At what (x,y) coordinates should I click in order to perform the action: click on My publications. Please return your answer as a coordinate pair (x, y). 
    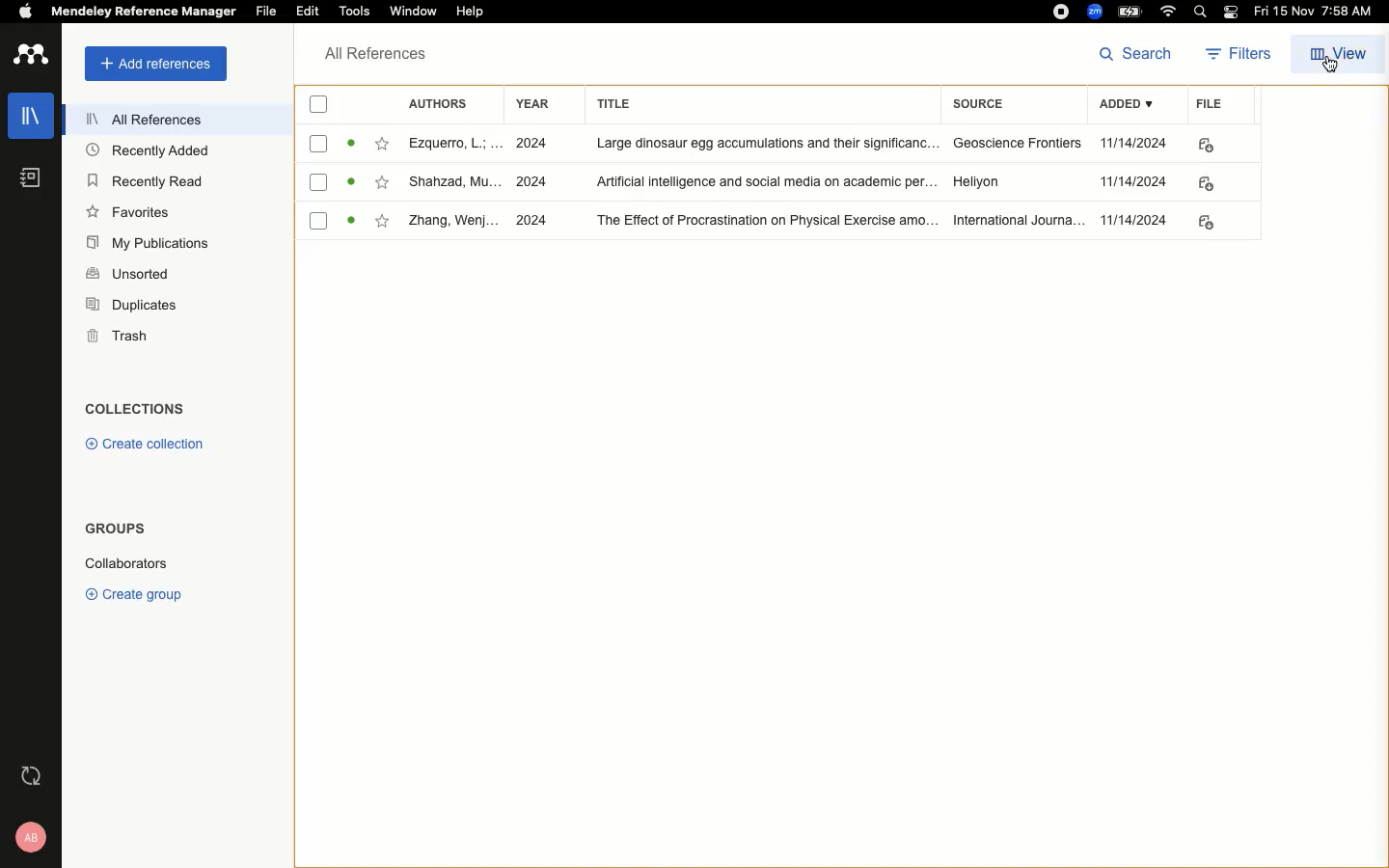
    Looking at the image, I should click on (145, 241).